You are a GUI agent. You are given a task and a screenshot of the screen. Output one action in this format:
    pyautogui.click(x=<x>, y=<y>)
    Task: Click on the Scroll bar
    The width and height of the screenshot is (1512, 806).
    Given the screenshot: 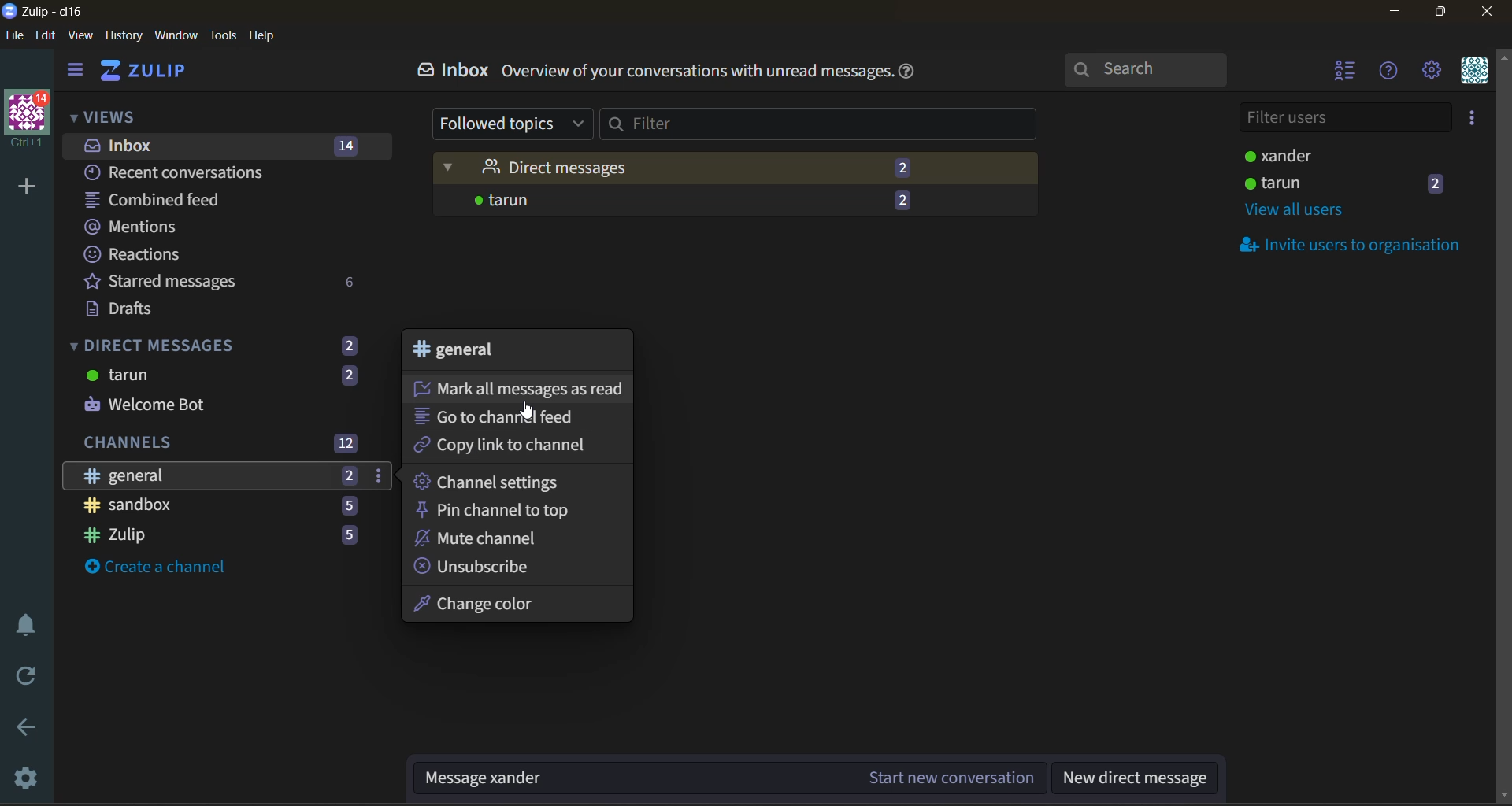 What is the action you would take?
    pyautogui.click(x=1503, y=425)
    